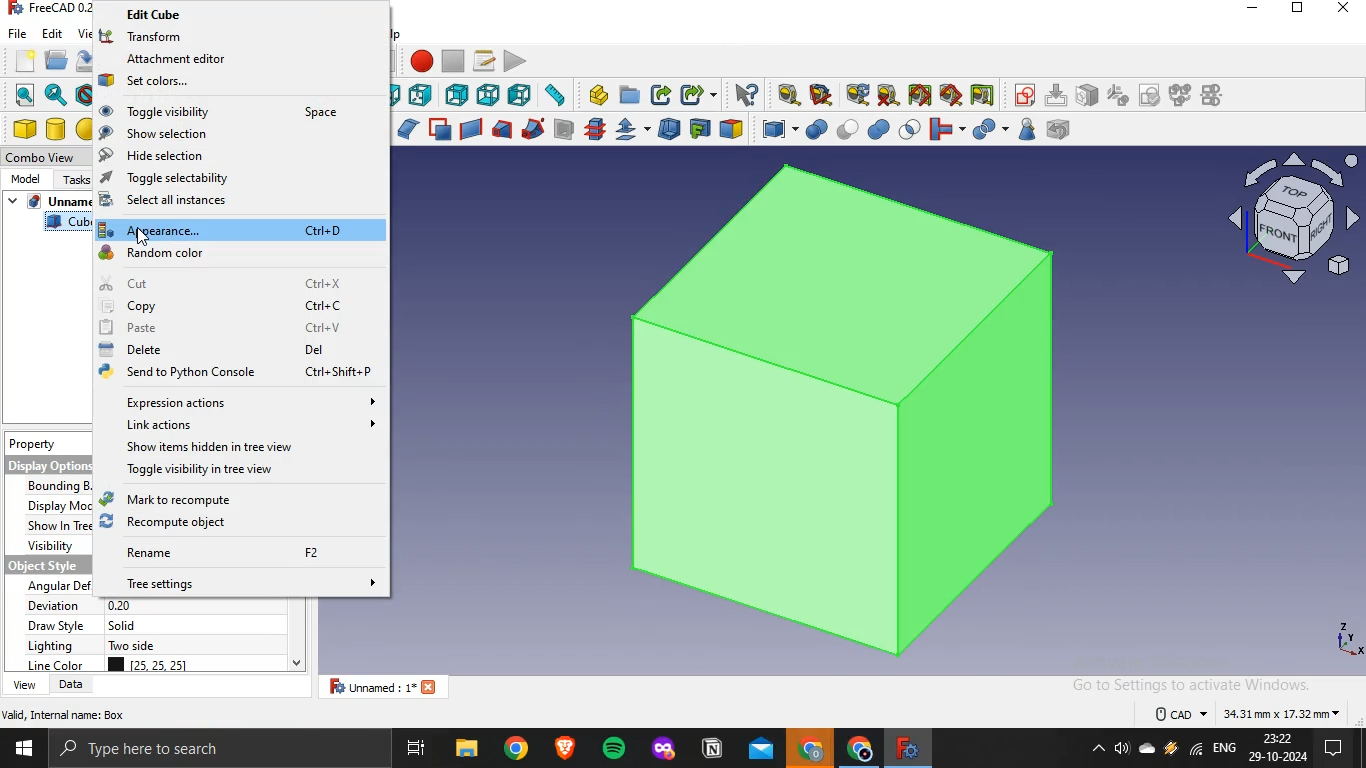 The image size is (1366, 768). What do you see at coordinates (24, 95) in the screenshot?
I see `fit all` at bounding box center [24, 95].